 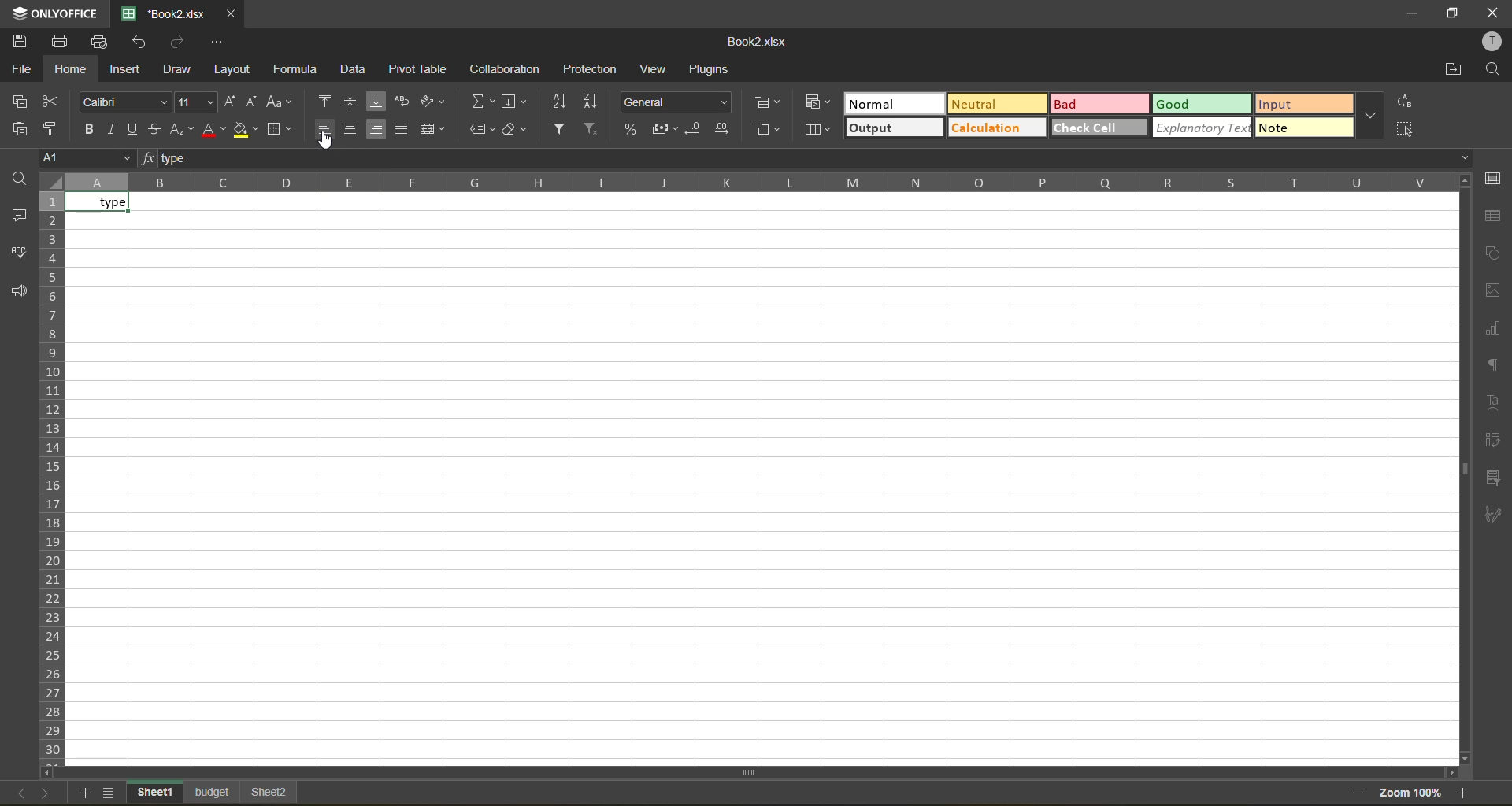 What do you see at coordinates (253, 102) in the screenshot?
I see `decrement size` at bounding box center [253, 102].